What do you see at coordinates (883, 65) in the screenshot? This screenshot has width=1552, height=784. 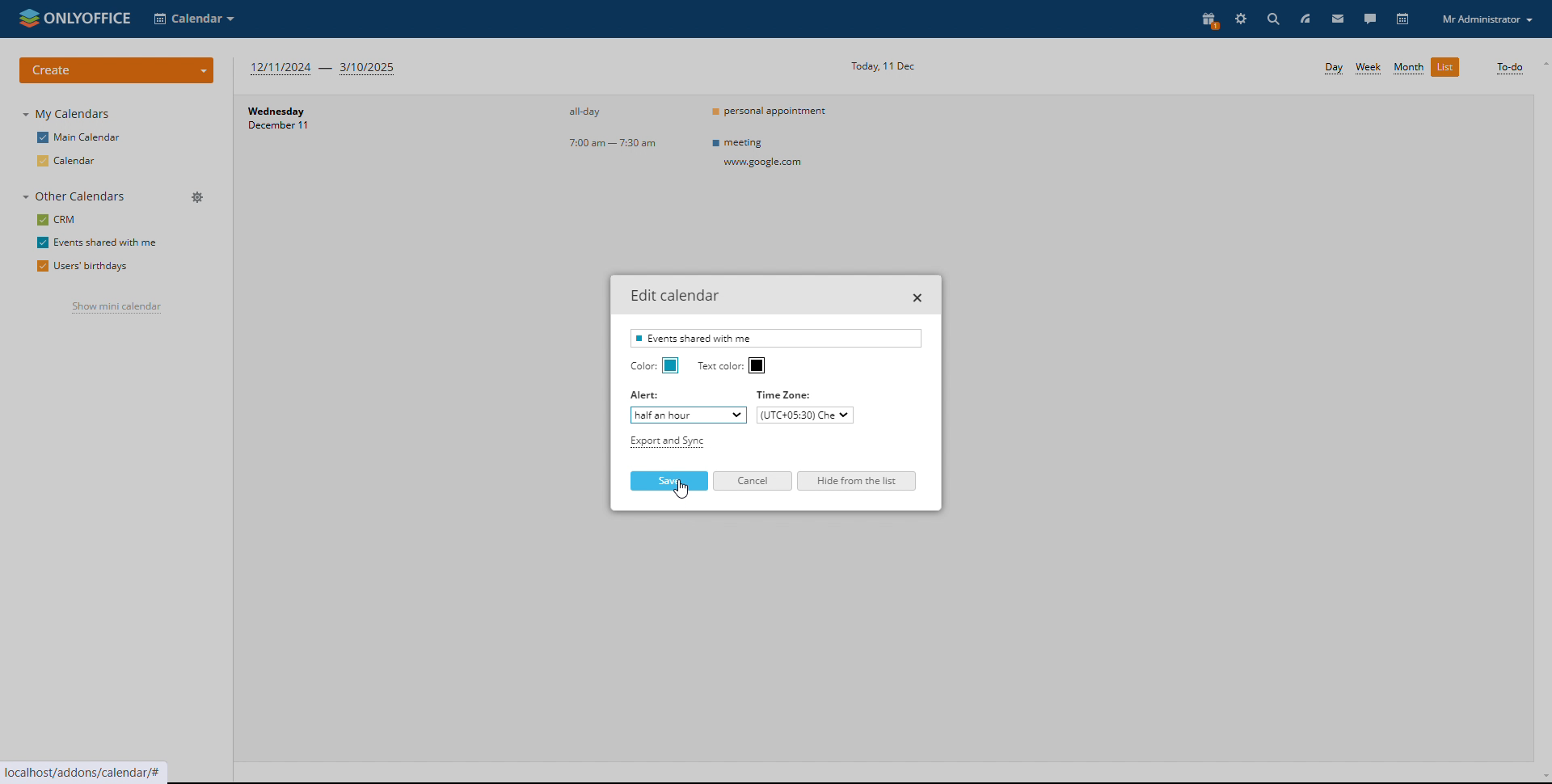 I see `current date` at bounding box center [883, 65].